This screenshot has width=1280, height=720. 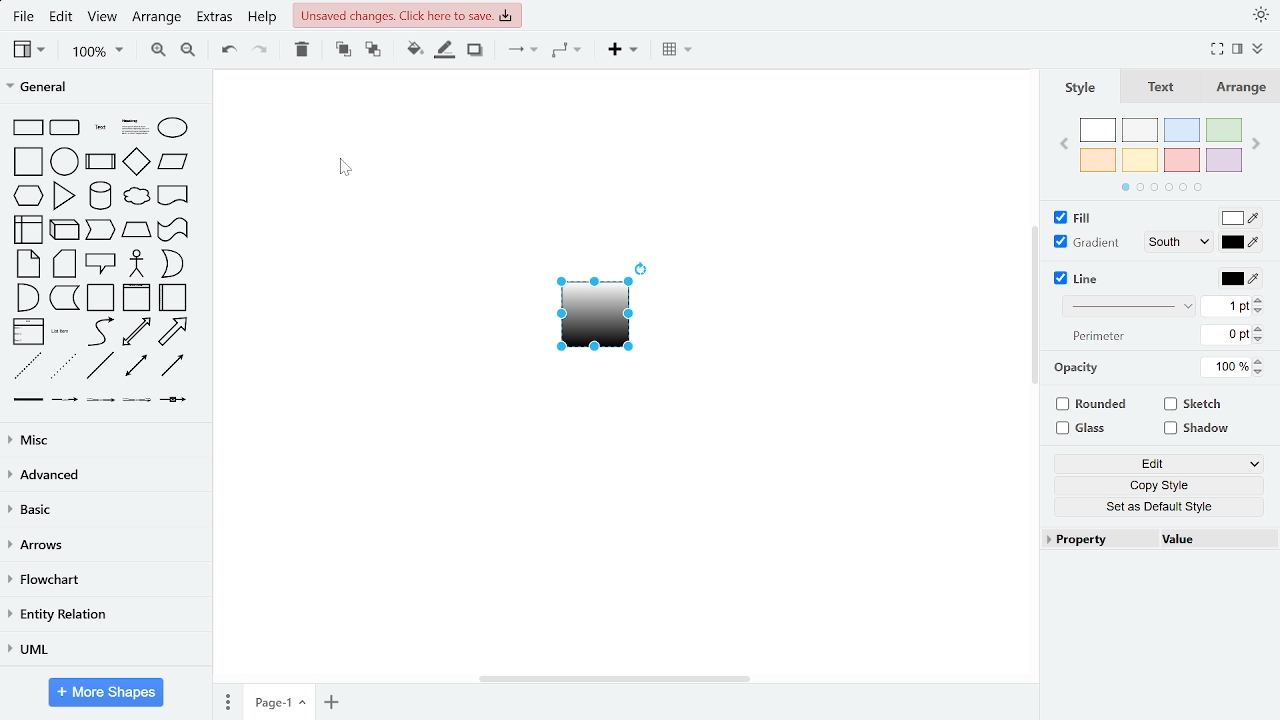 What do you see at coordinates (1197, 430) in the screenshot?
I see `shadow` at bounding box center [1197, 430].